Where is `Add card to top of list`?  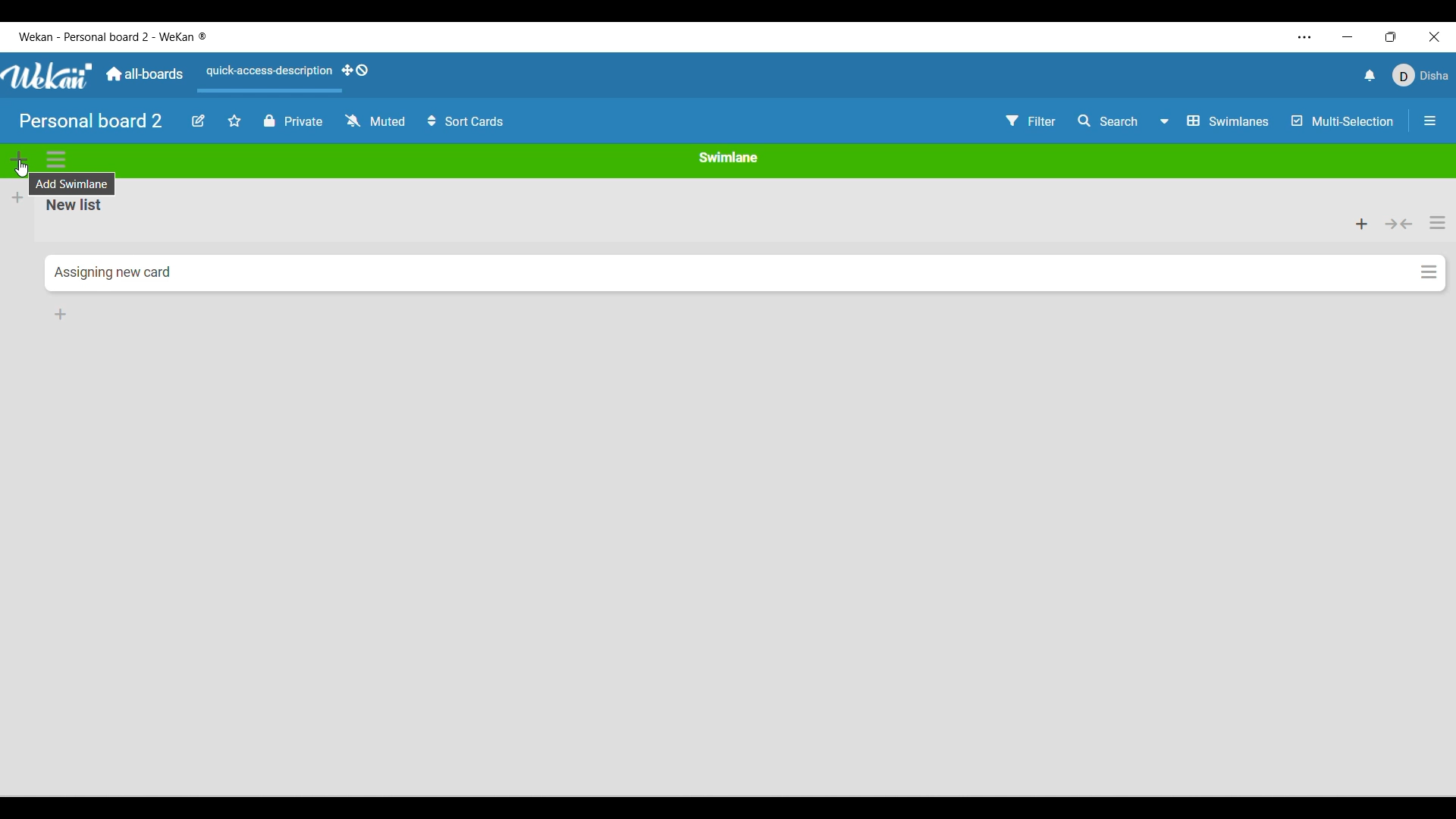
Add card to top of list is located at coordinates (1363, 224).